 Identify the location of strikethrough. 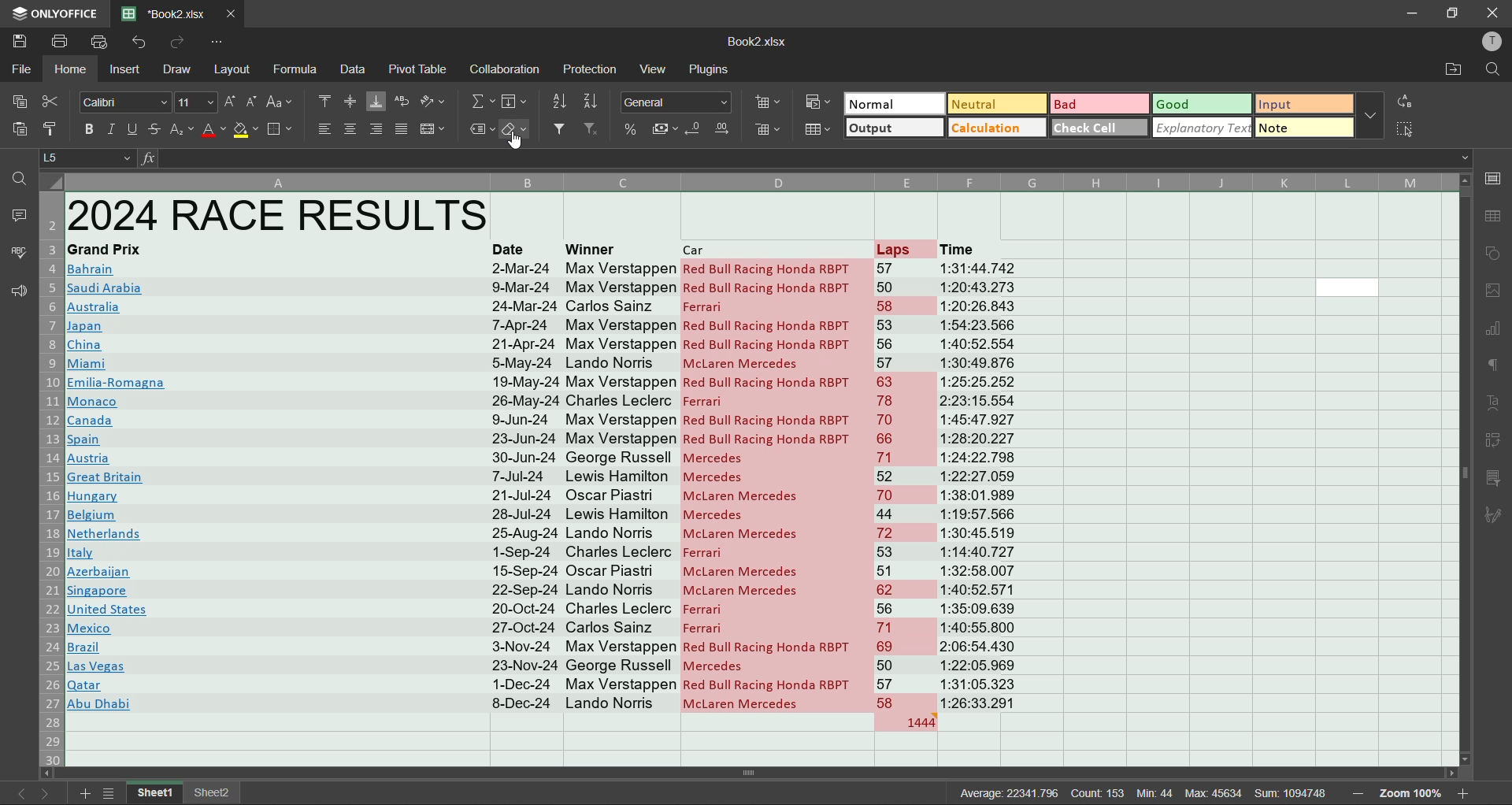
(154, 132).